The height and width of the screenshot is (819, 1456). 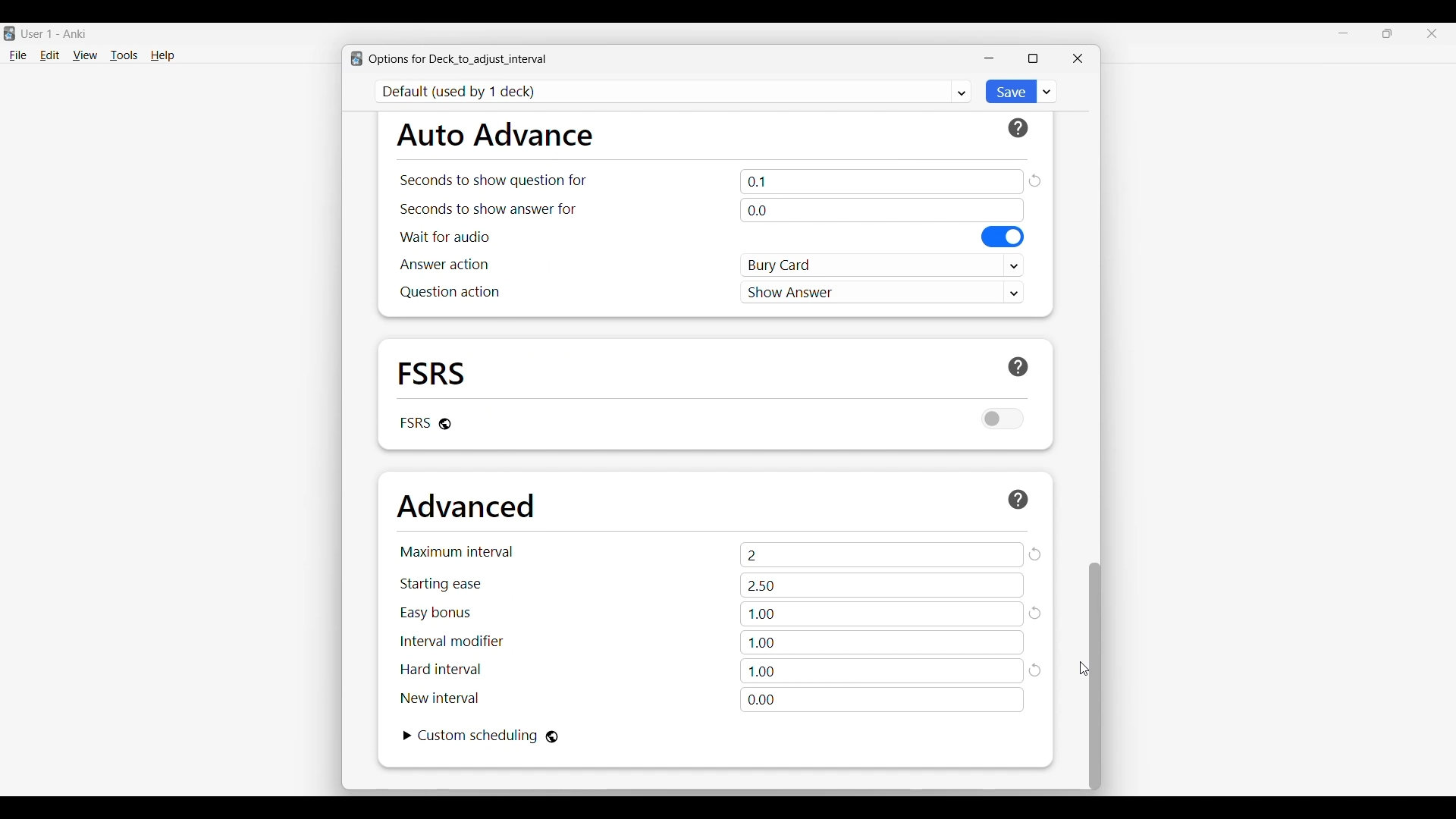 What do you see at coordinates (17, 56) in the screenshot?
I see `File menu` at bounding box center [17, 56].